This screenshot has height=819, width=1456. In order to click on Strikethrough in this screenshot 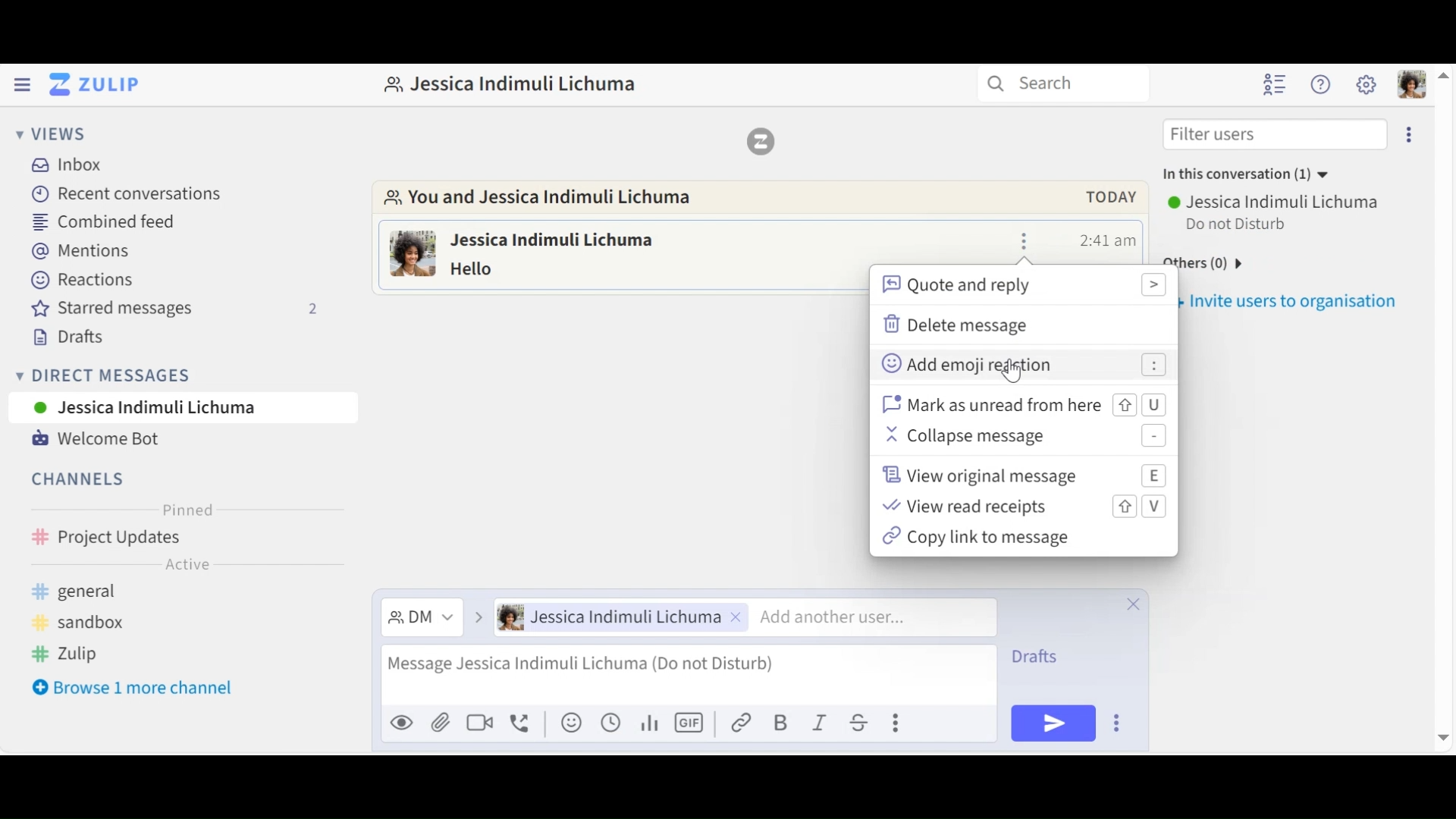, I will do `click(861, 722)`.